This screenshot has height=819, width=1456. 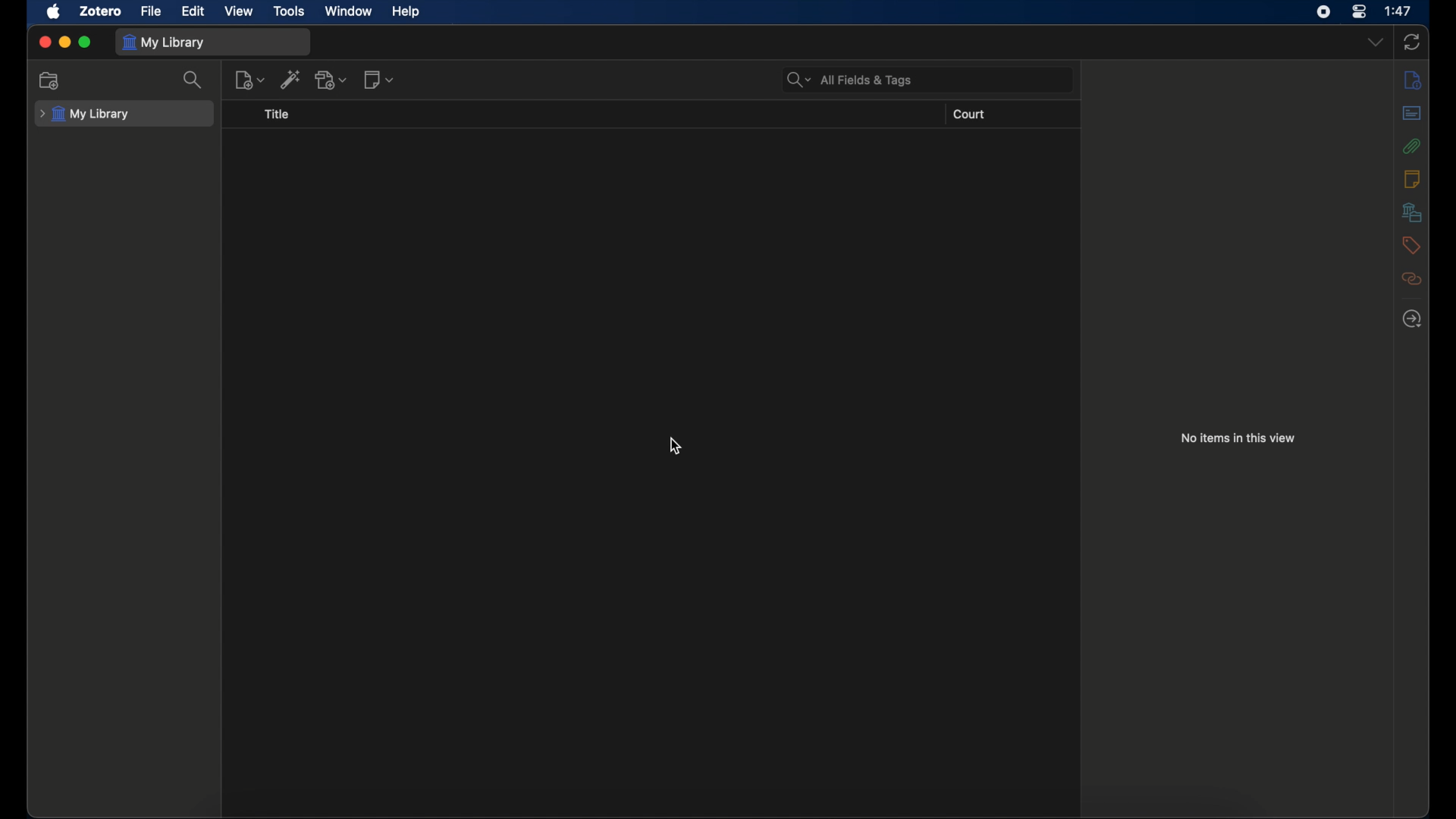 I want to click on dropdown, so click(x=1376, y=42).